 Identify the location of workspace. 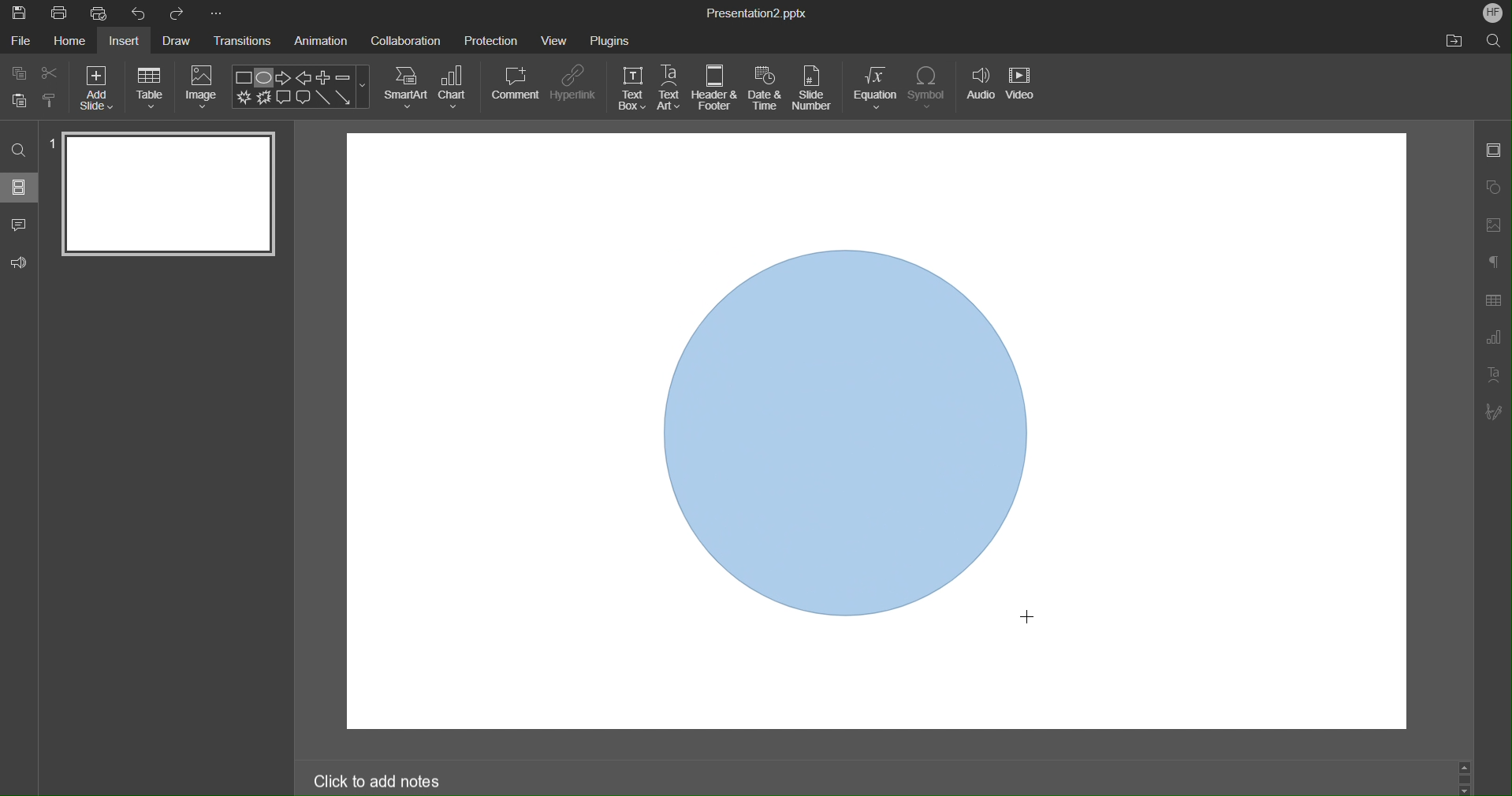
(1240, 432).